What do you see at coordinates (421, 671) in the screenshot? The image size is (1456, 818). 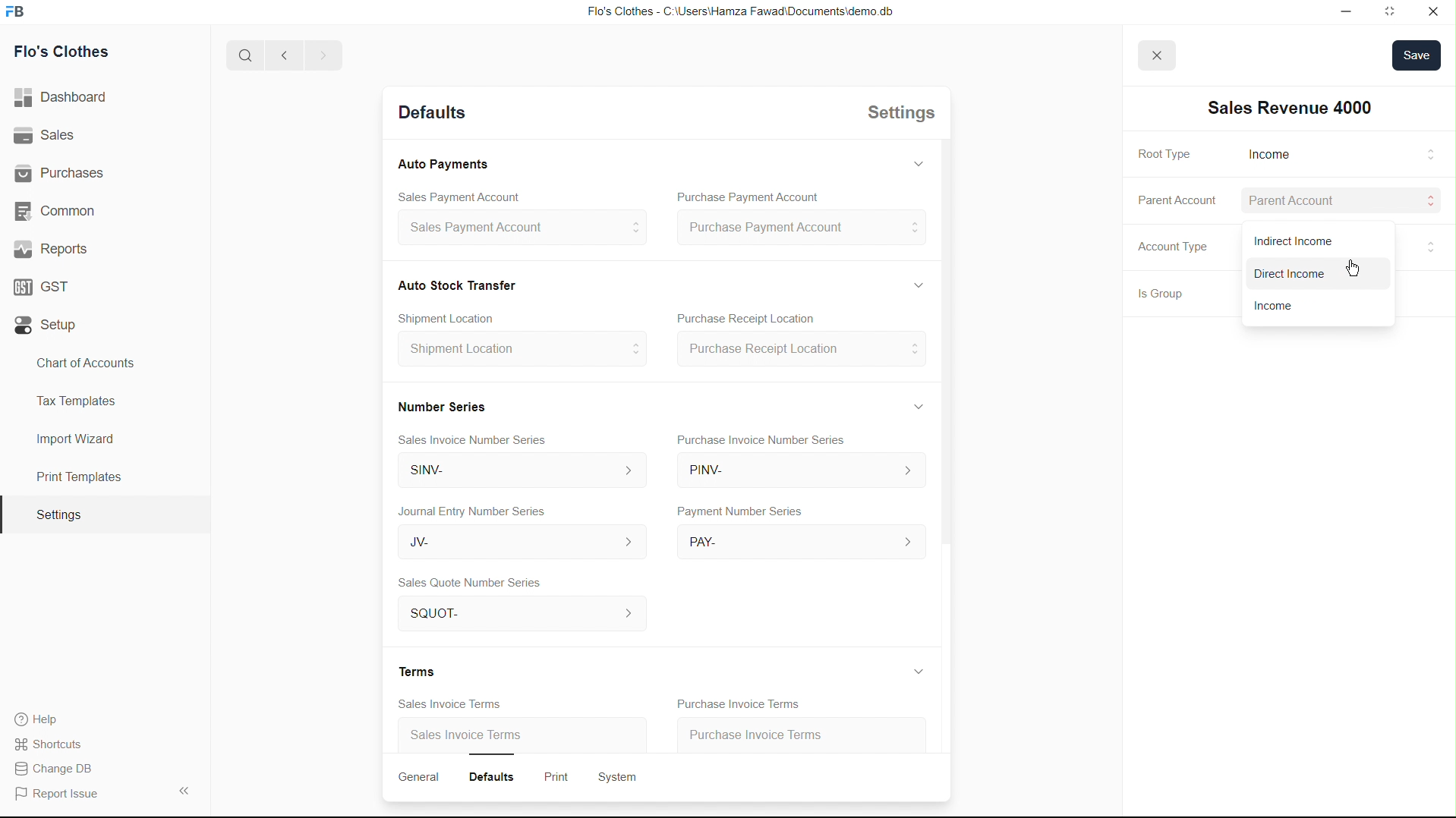 I see `Terms` at bounding box center [421, 671].